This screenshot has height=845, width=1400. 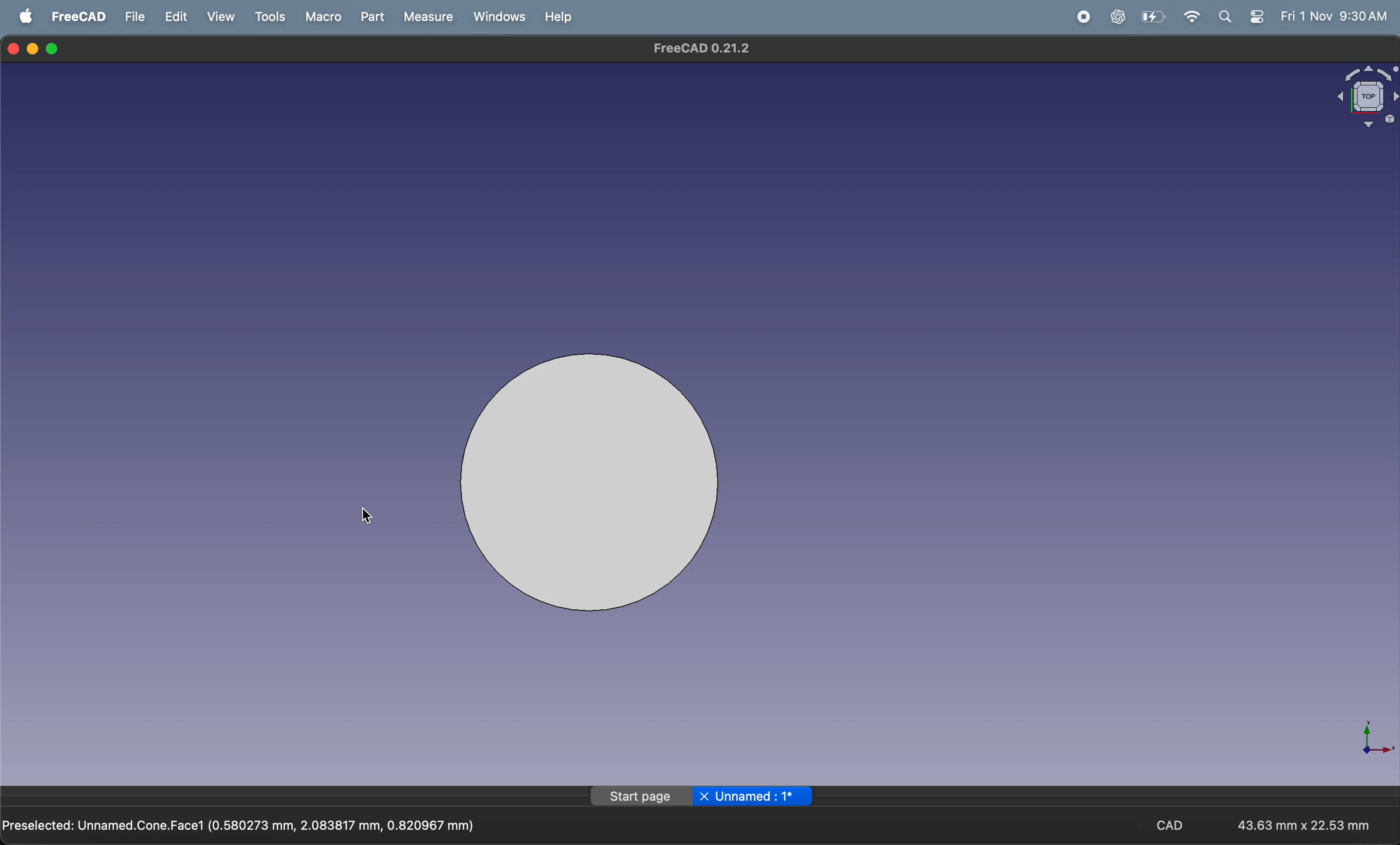 What do you see at coordinates (368, 17) in the screenshot?
I see `part` at bounding box center [368, 17].